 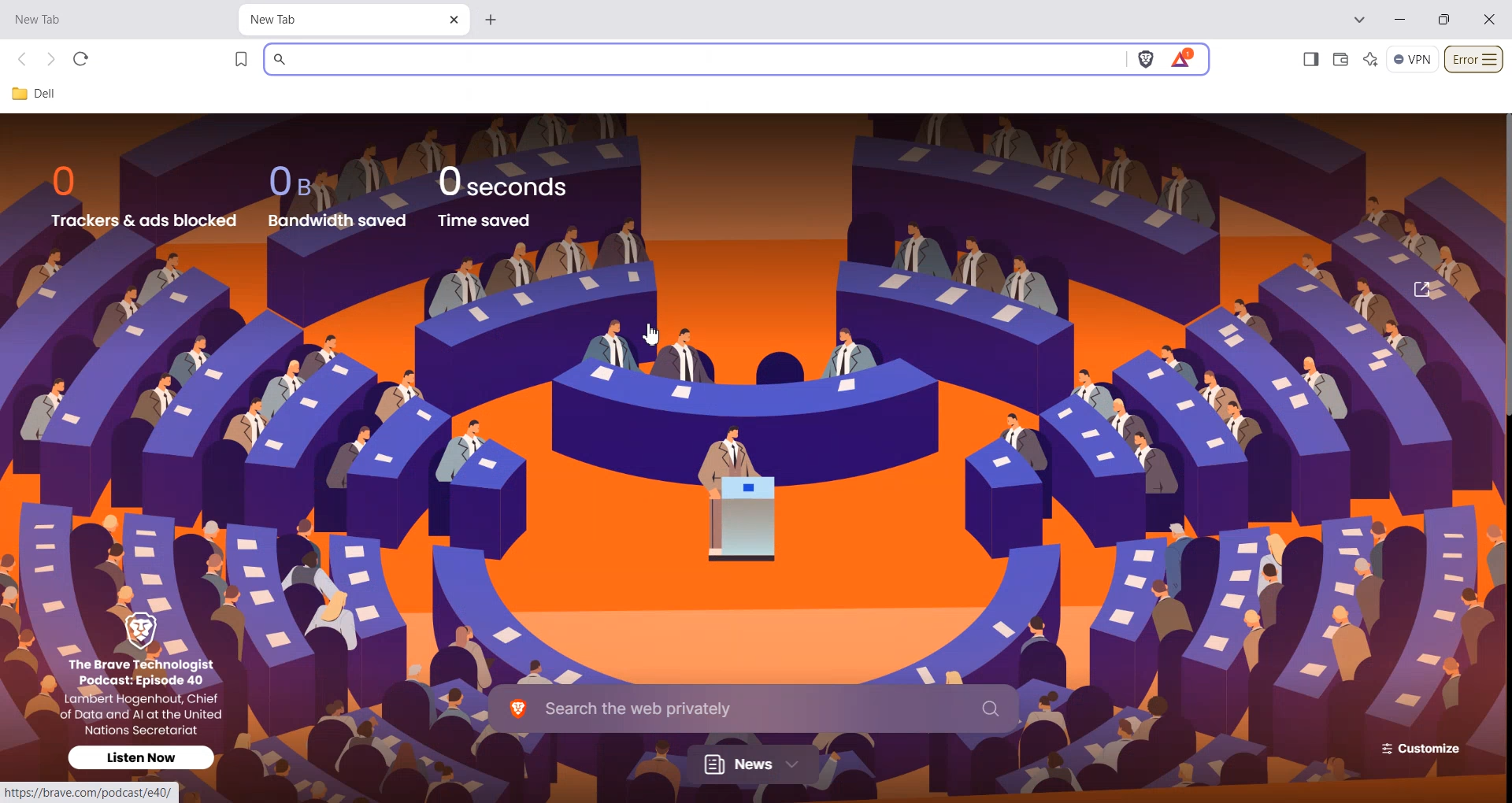 I want to click on Close, so click(x=1490, y=19).